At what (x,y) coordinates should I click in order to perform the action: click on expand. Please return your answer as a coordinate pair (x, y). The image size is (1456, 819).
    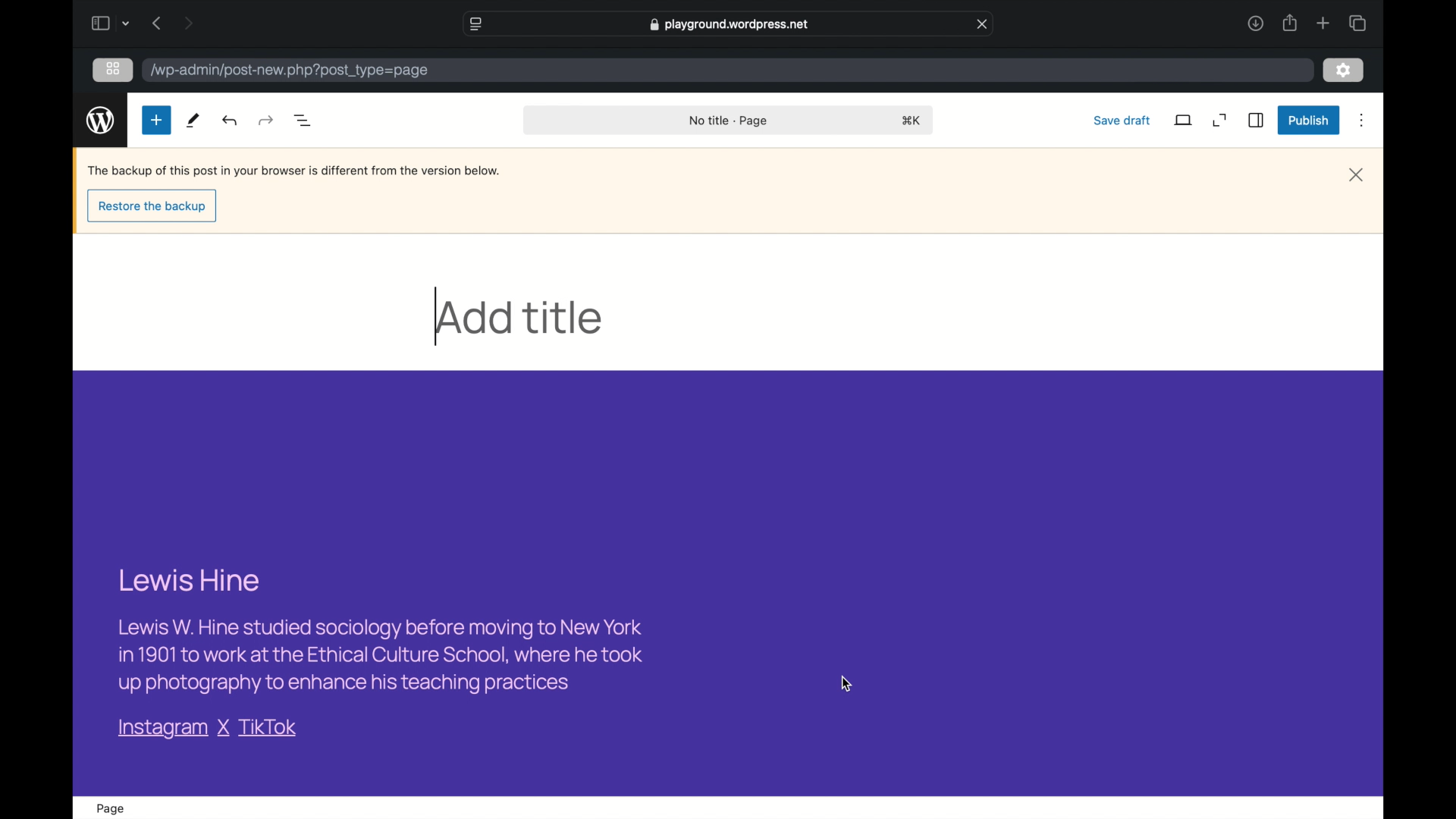
    Looking at the image, I should click on (1221, 121).